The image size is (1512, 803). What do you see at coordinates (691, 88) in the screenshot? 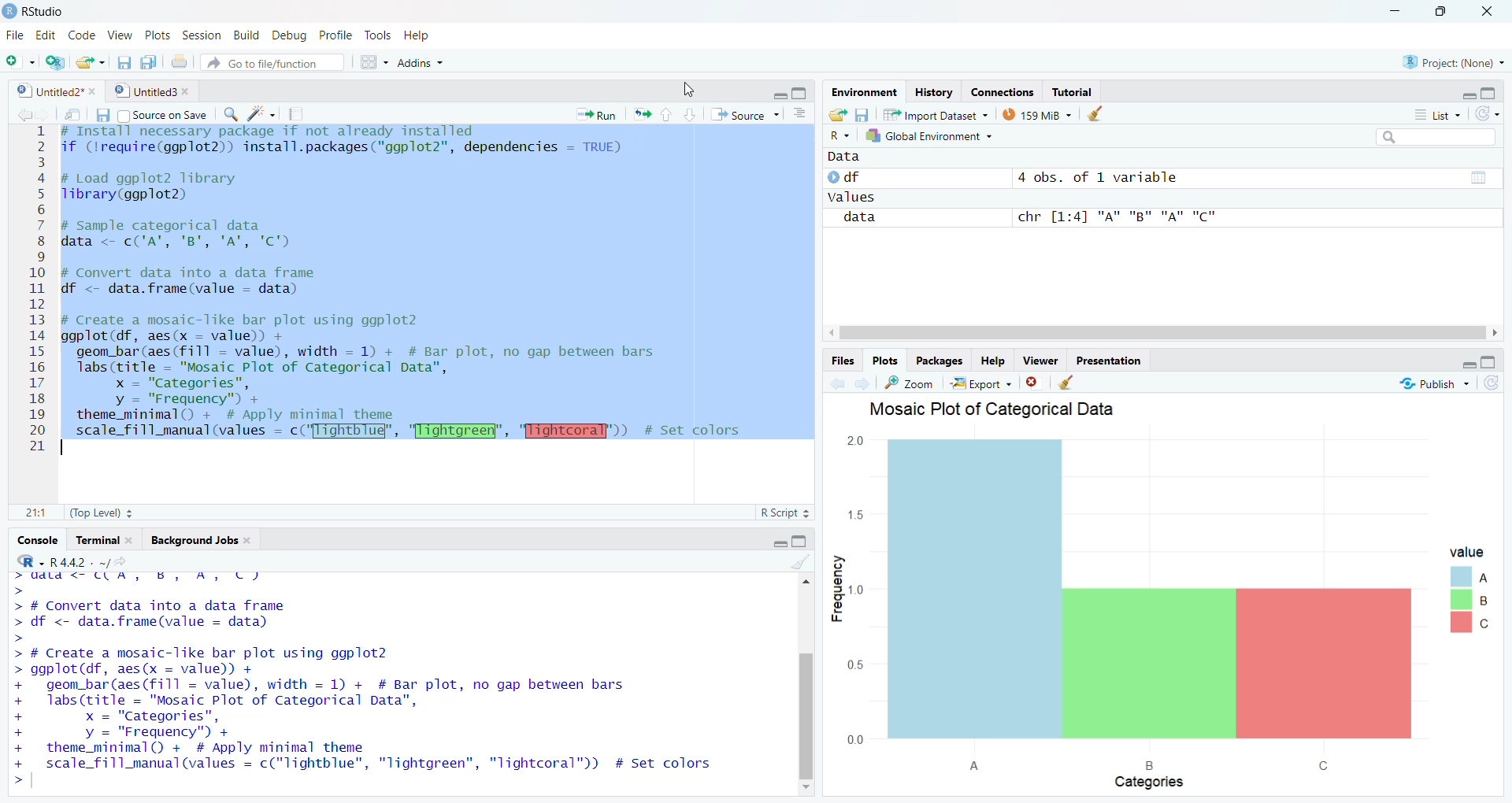
I see `Cursor` at bounding box center [691, 88].